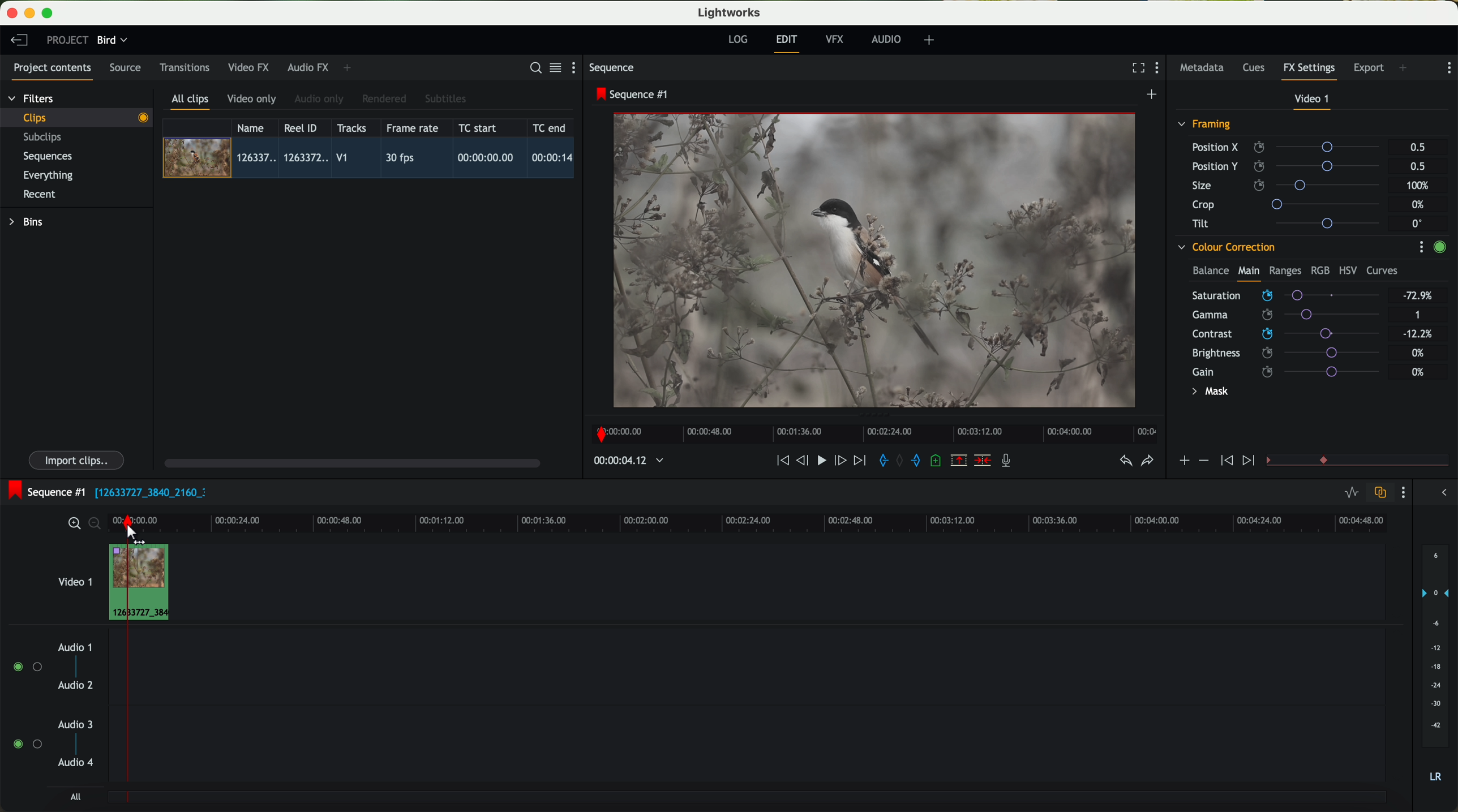 The image size is (1458, 812). What do you see at coordinates (372, 160) in the screenshot?
I see `click on video` at bounding box center [372, 160].